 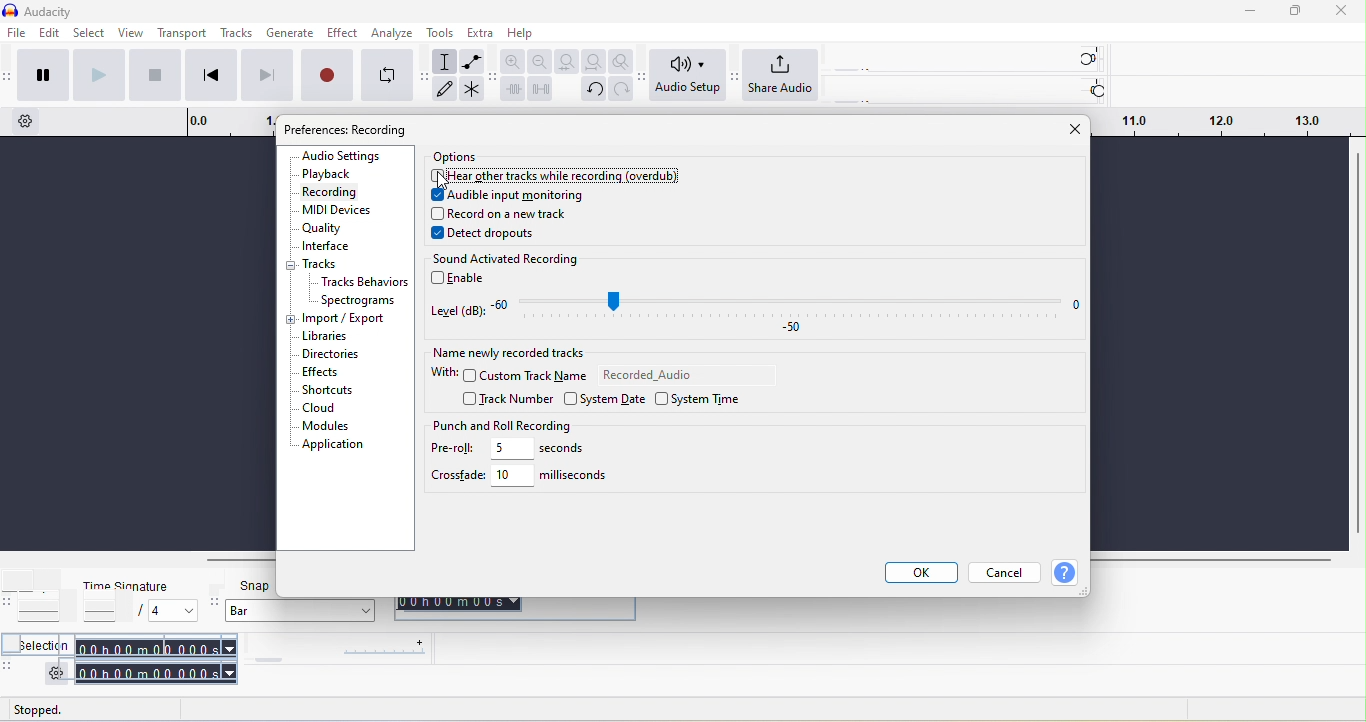 I want to click on envelope tool, so click(x=473, y=60).